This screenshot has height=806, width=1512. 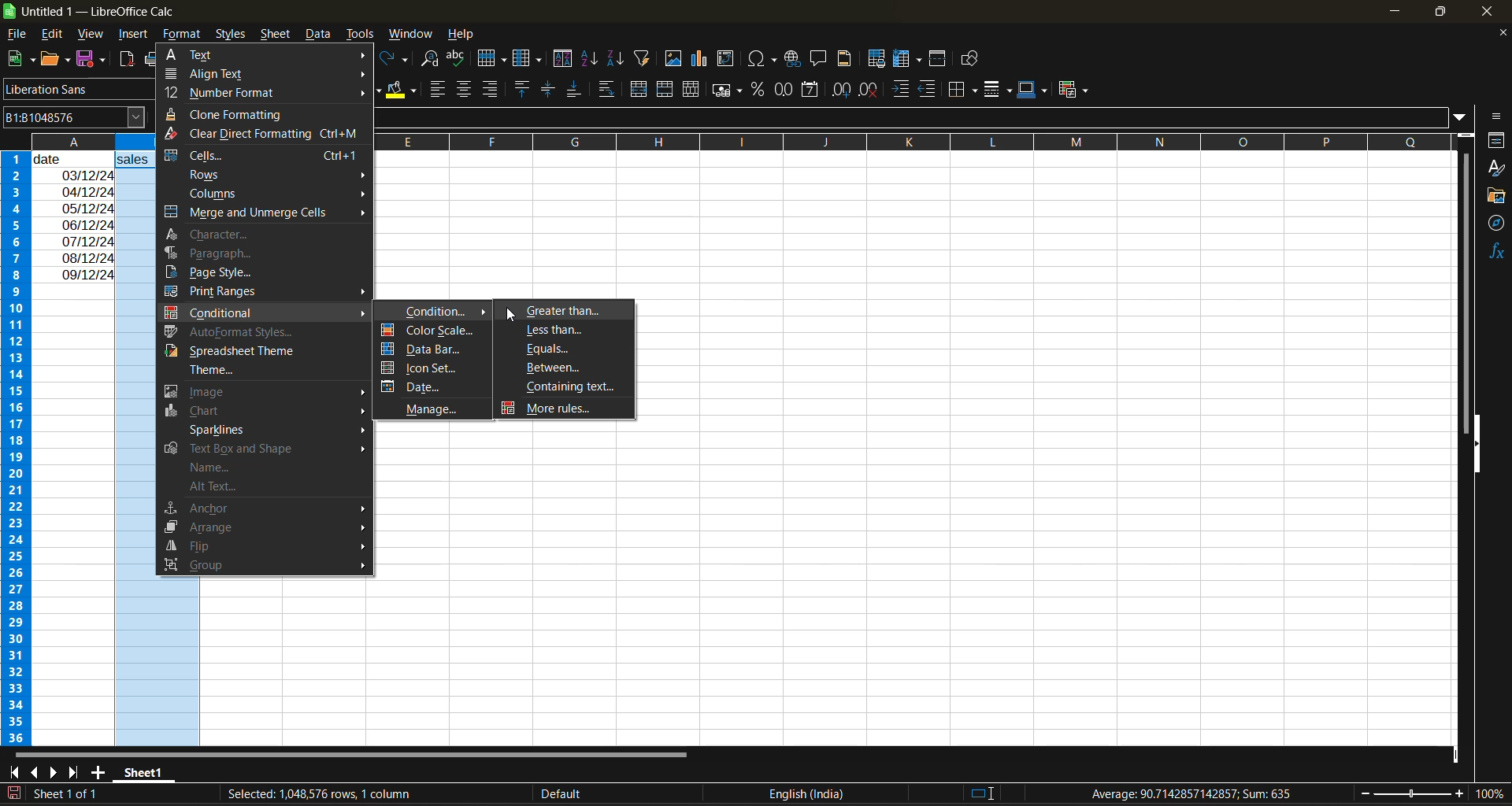 I want to click on zoom factor, so click(x=1487, y=795).